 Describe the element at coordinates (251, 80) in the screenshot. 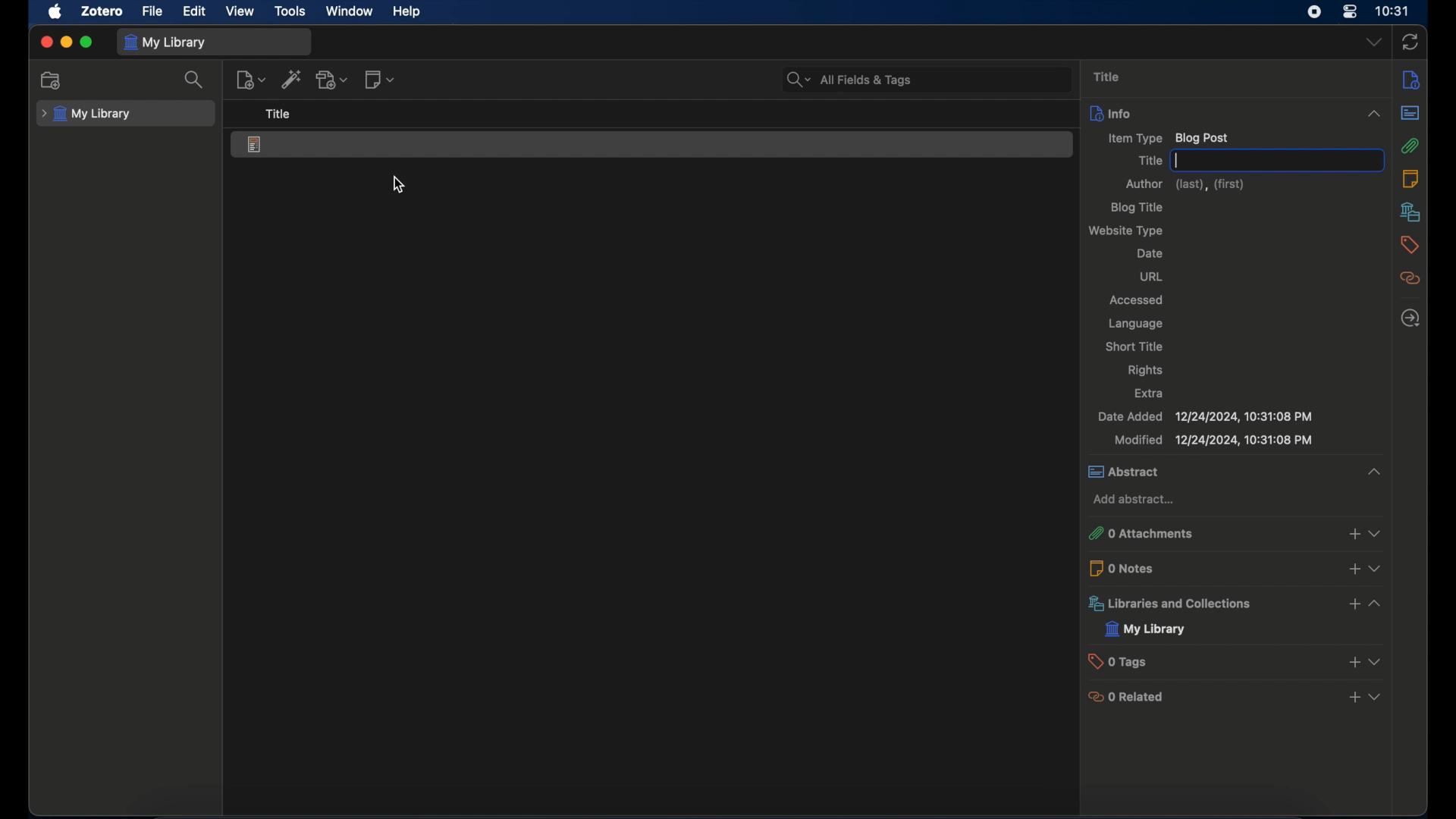

I see `new item` at that location.